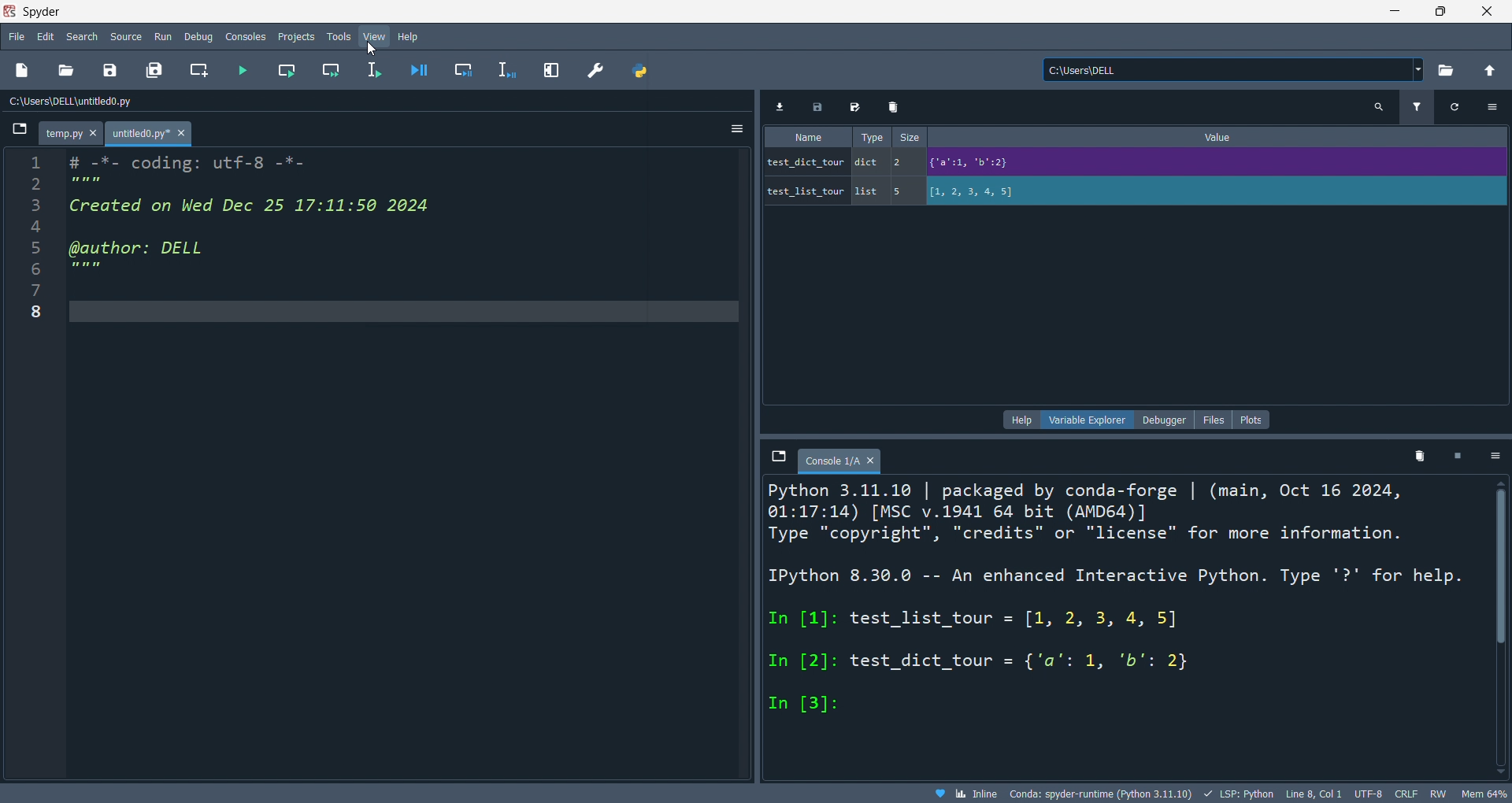  What do you see at coordinates (1445, 71) in the screenshot?
I see `open directory` at bounding box center [1445, 71].